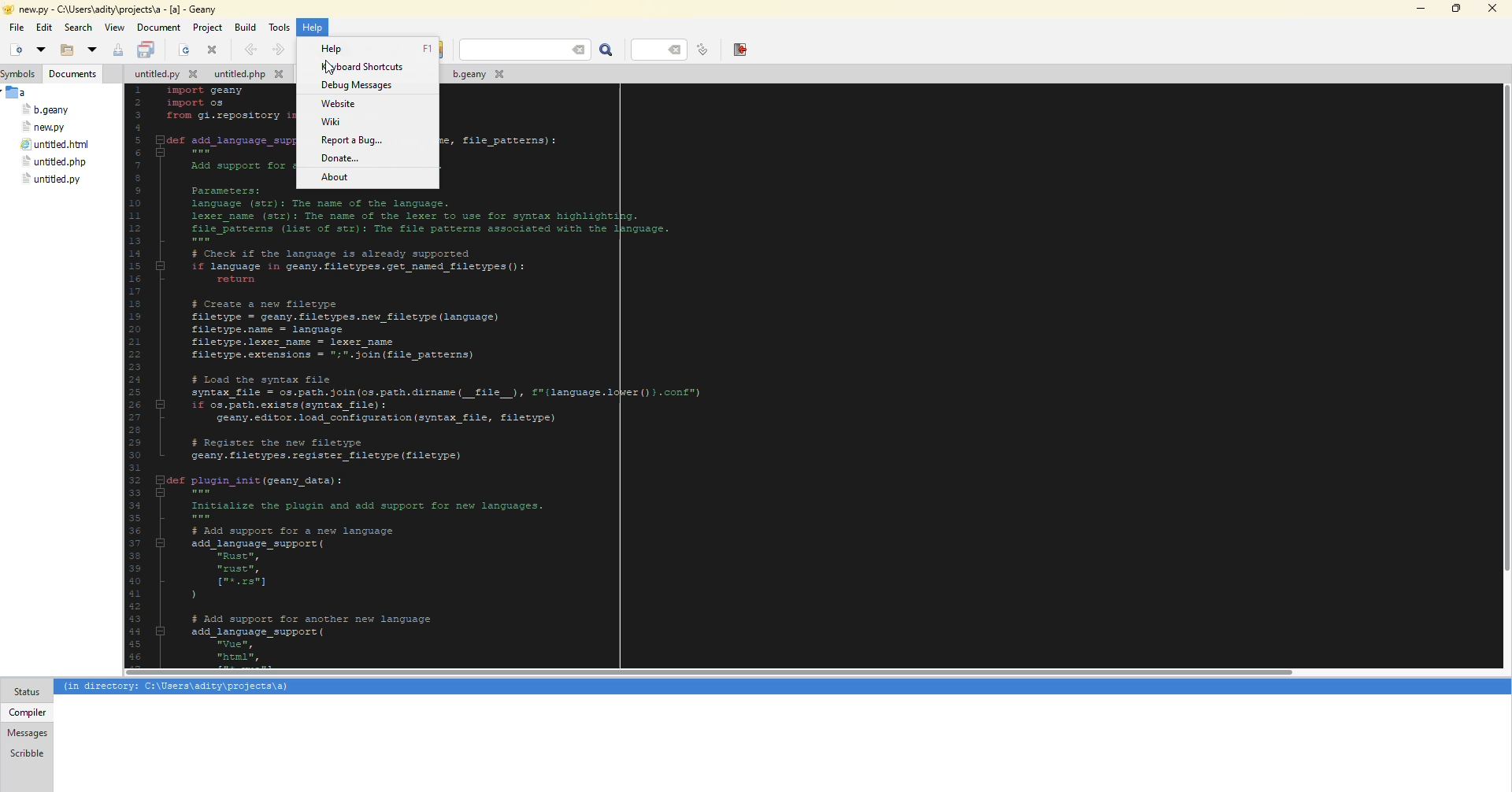 The height and width of the screenshot is (792, 1512). Describe the element at coordinates (335, 48) in the screenshot. I see `help` at that location.